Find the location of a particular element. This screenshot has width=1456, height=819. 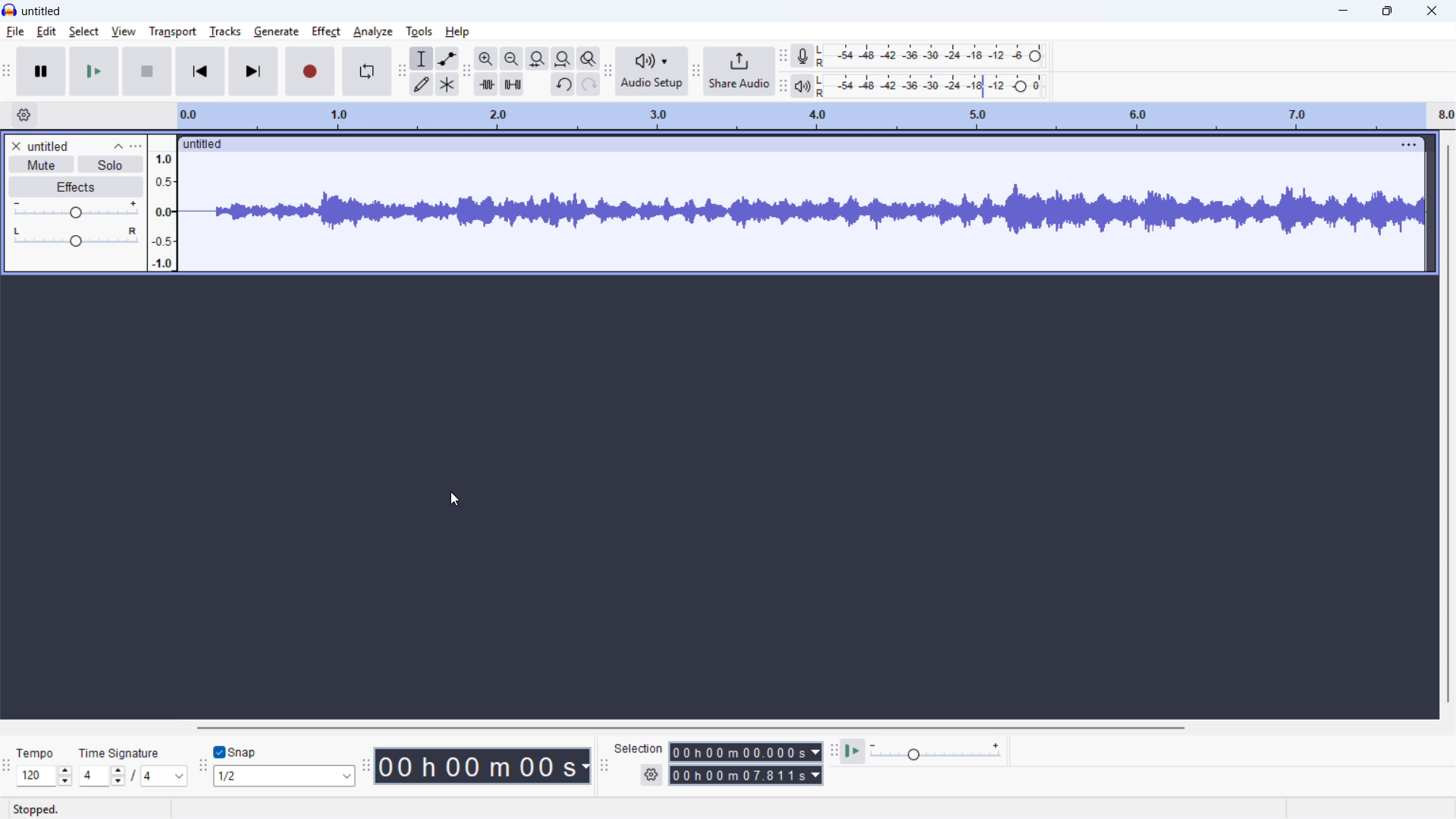

selection settings is located at coordinates (651, 777).